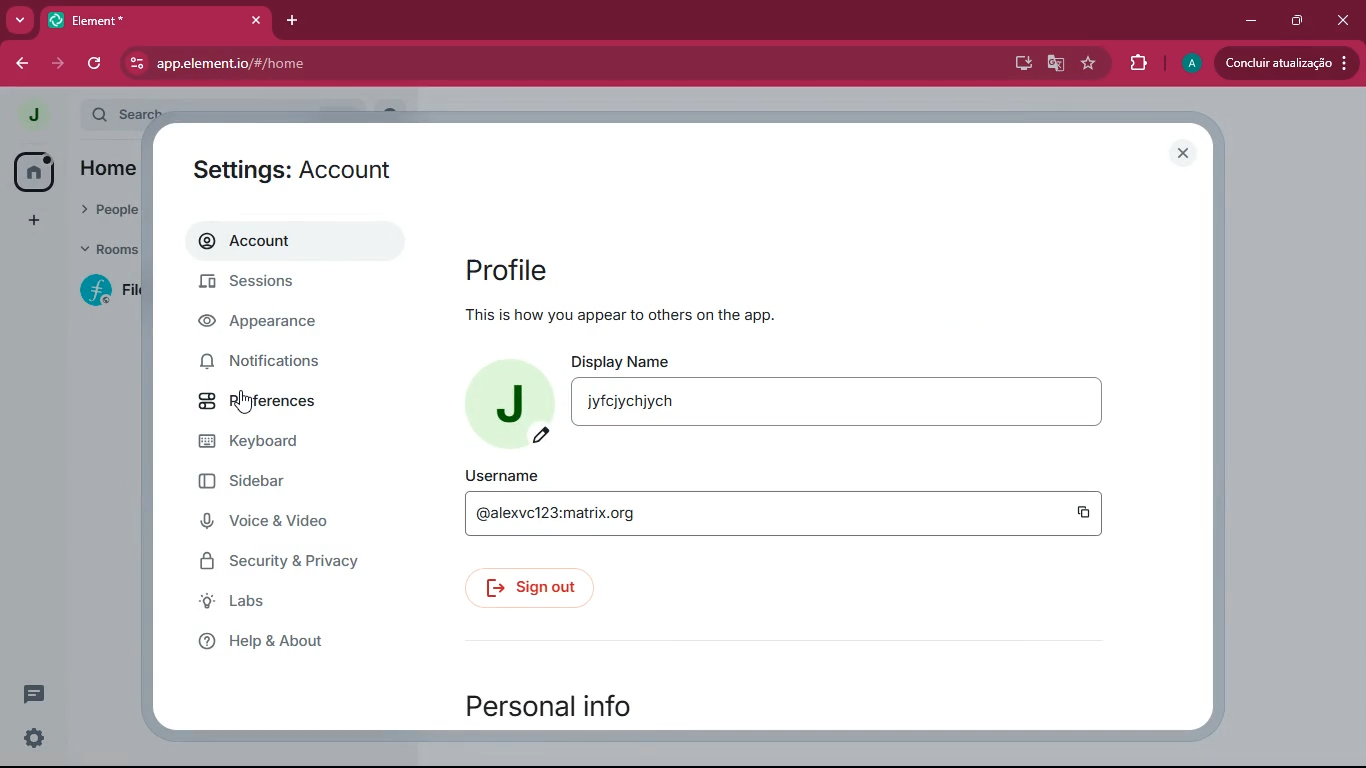 The image size is (1366, 768). I want to click on sessions, so click(287, 285).